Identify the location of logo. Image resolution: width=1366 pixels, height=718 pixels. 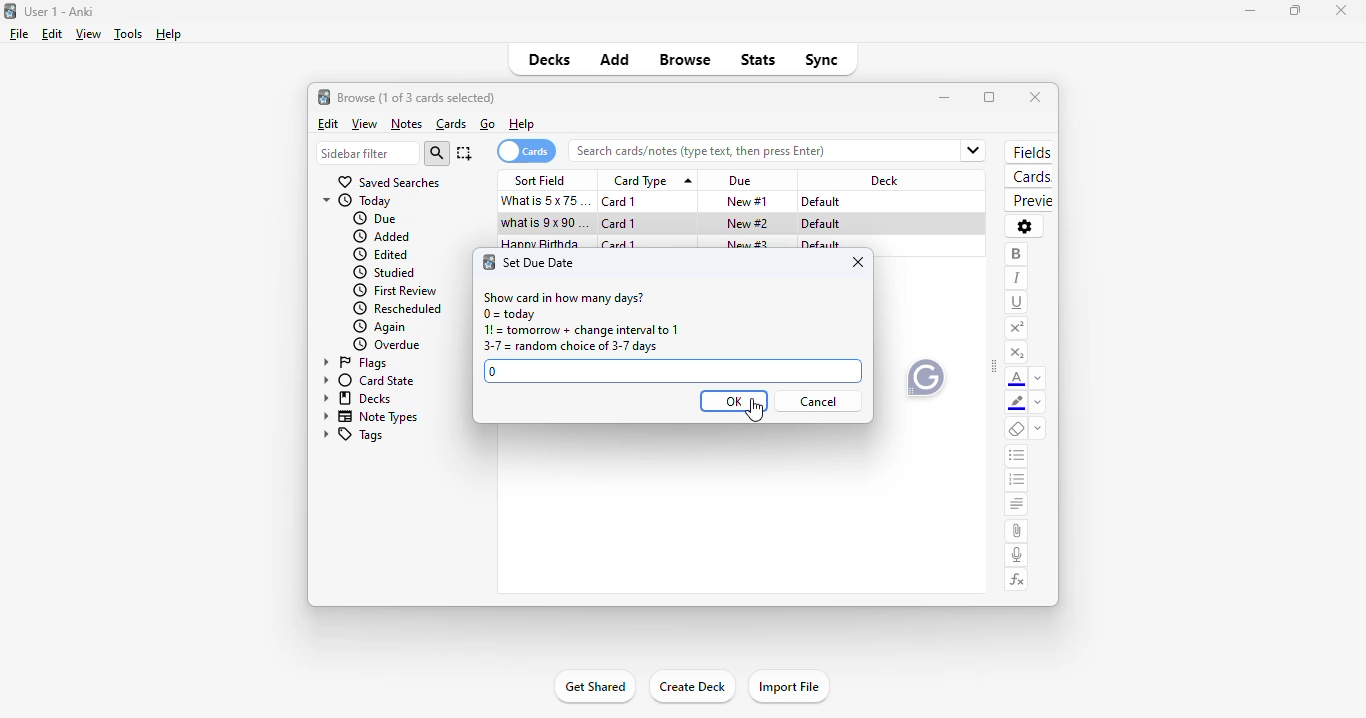
(490, 263).